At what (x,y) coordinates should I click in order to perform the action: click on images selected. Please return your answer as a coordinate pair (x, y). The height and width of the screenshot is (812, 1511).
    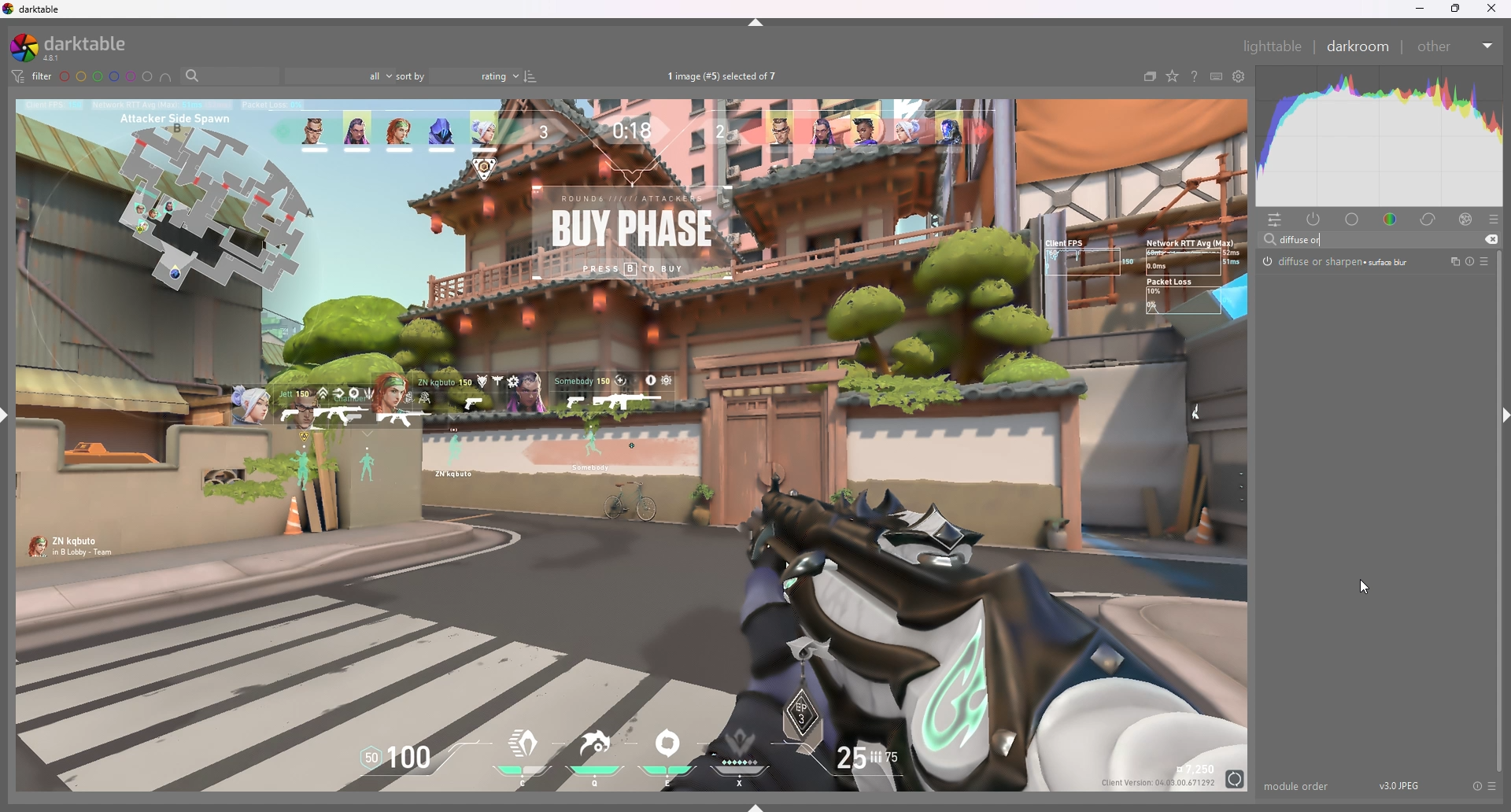
    Looking at the image, I should click on (725, 76).